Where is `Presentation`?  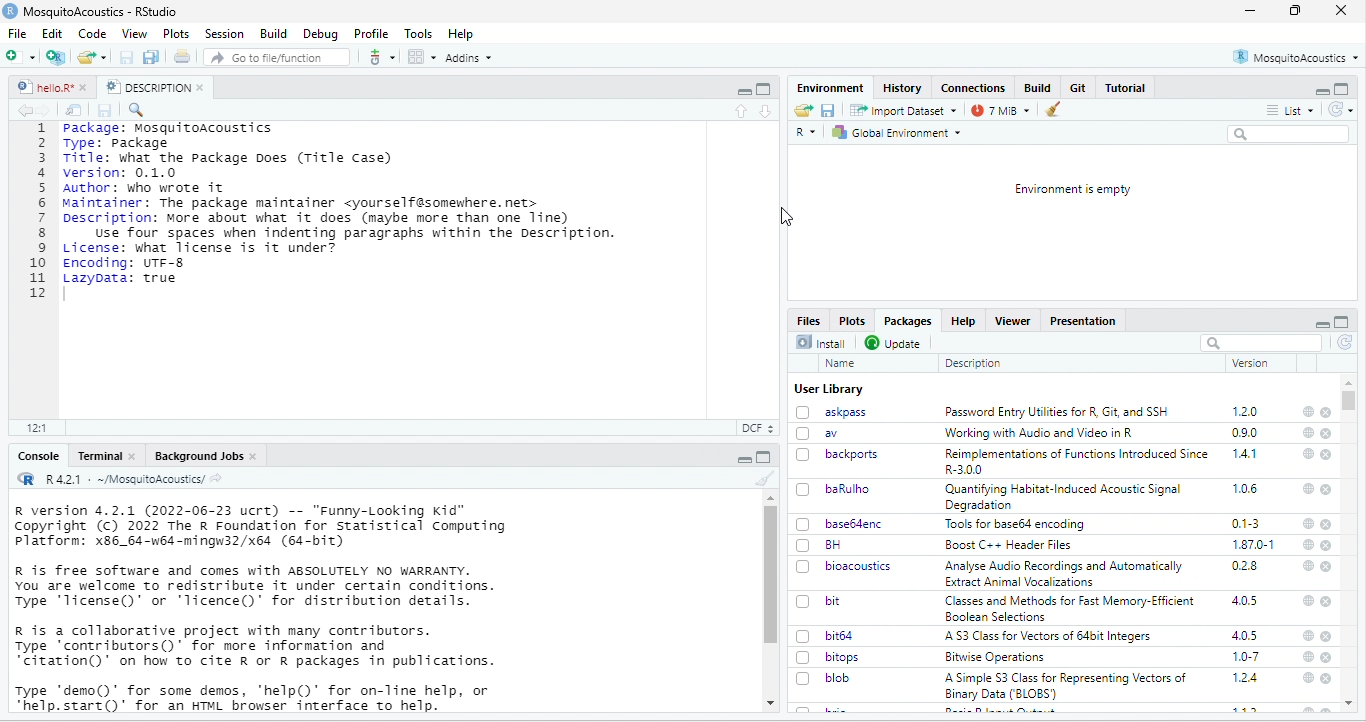
Presentation is located at coordinates (1084, 321).